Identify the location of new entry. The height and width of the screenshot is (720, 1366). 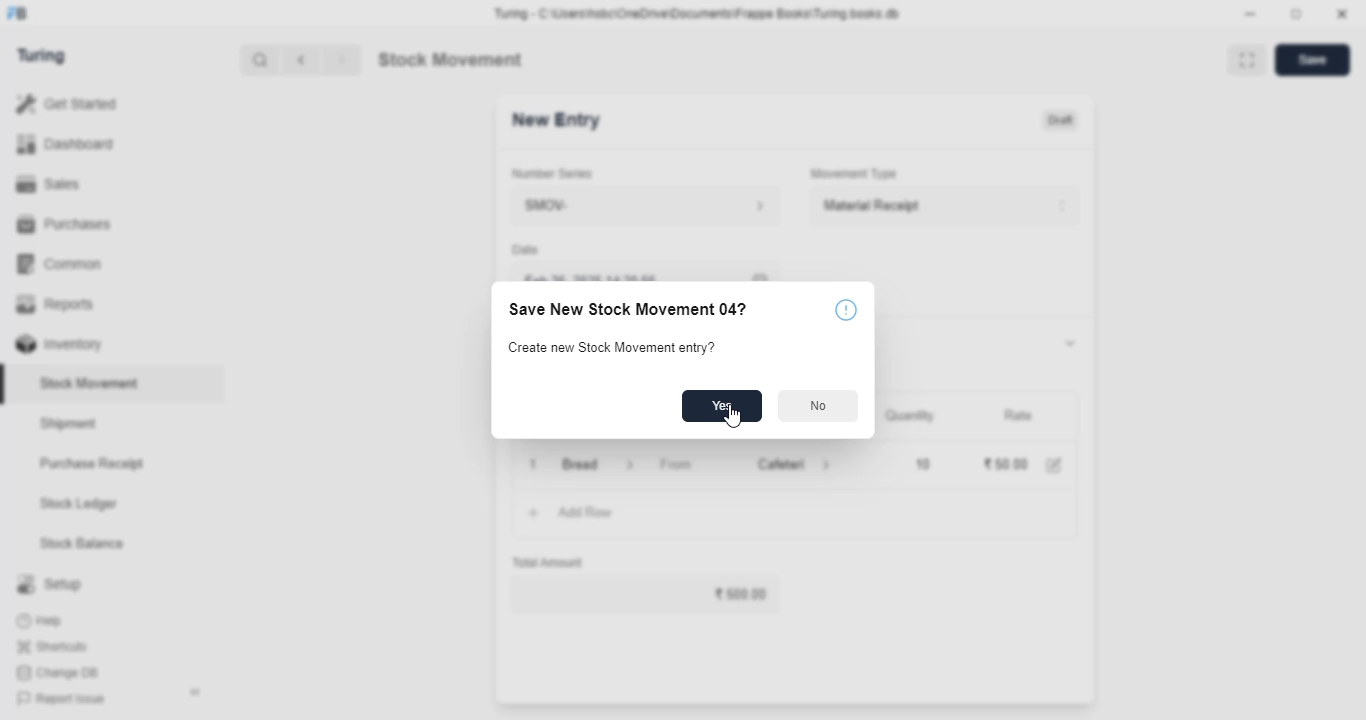
(555, 120).